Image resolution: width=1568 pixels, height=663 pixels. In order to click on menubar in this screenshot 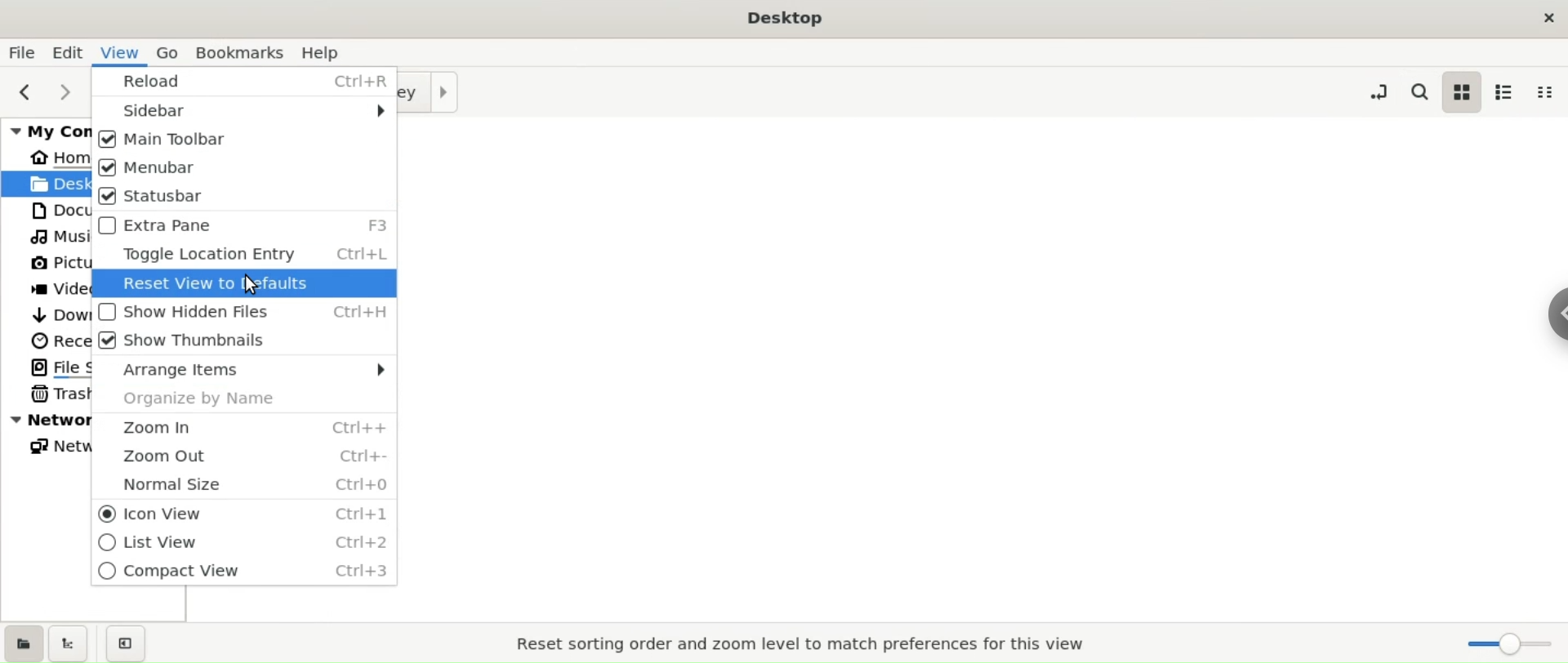, I will do `click(243, 169)`.